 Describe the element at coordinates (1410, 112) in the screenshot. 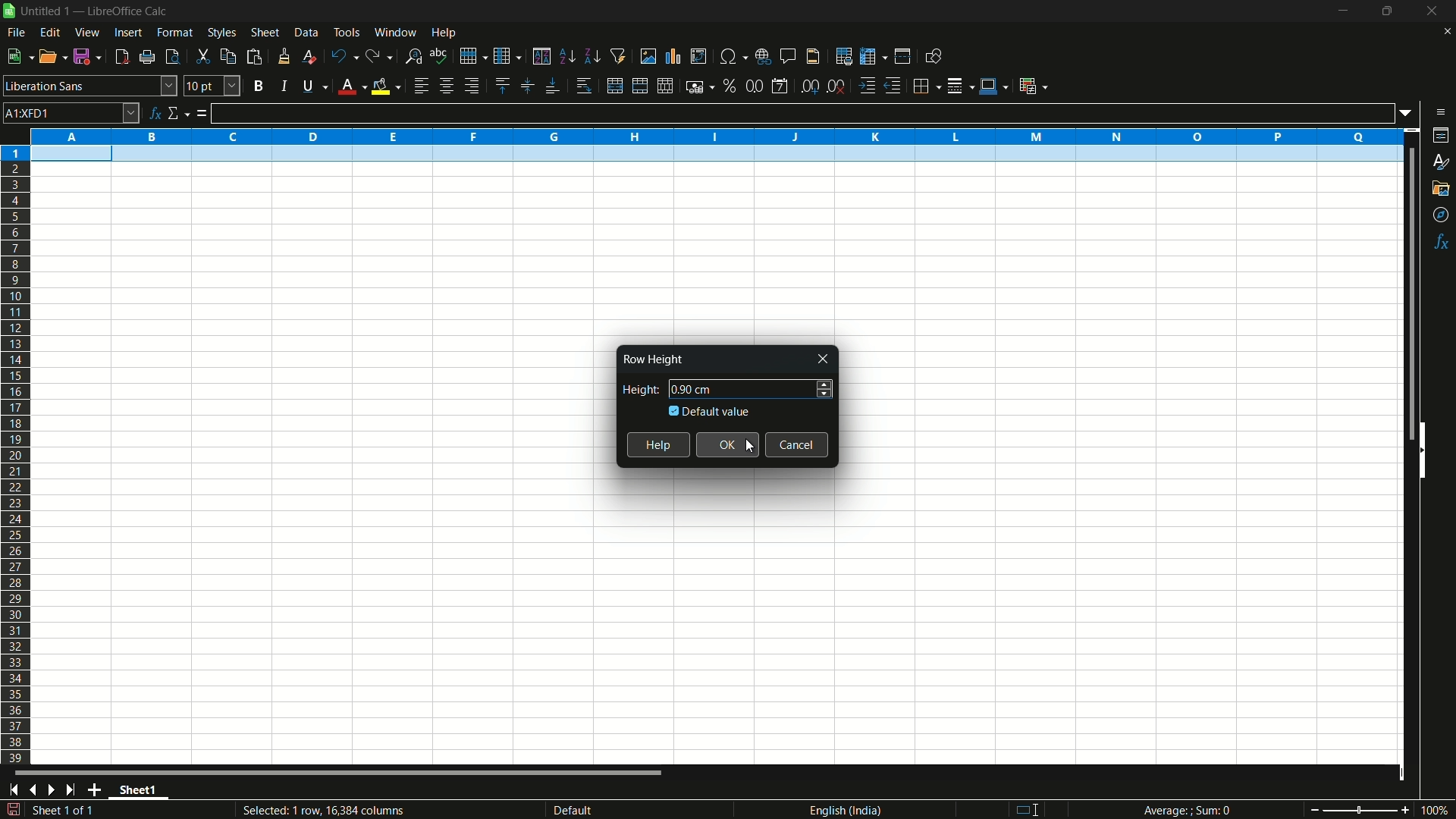

I see `formula input options` at that location.